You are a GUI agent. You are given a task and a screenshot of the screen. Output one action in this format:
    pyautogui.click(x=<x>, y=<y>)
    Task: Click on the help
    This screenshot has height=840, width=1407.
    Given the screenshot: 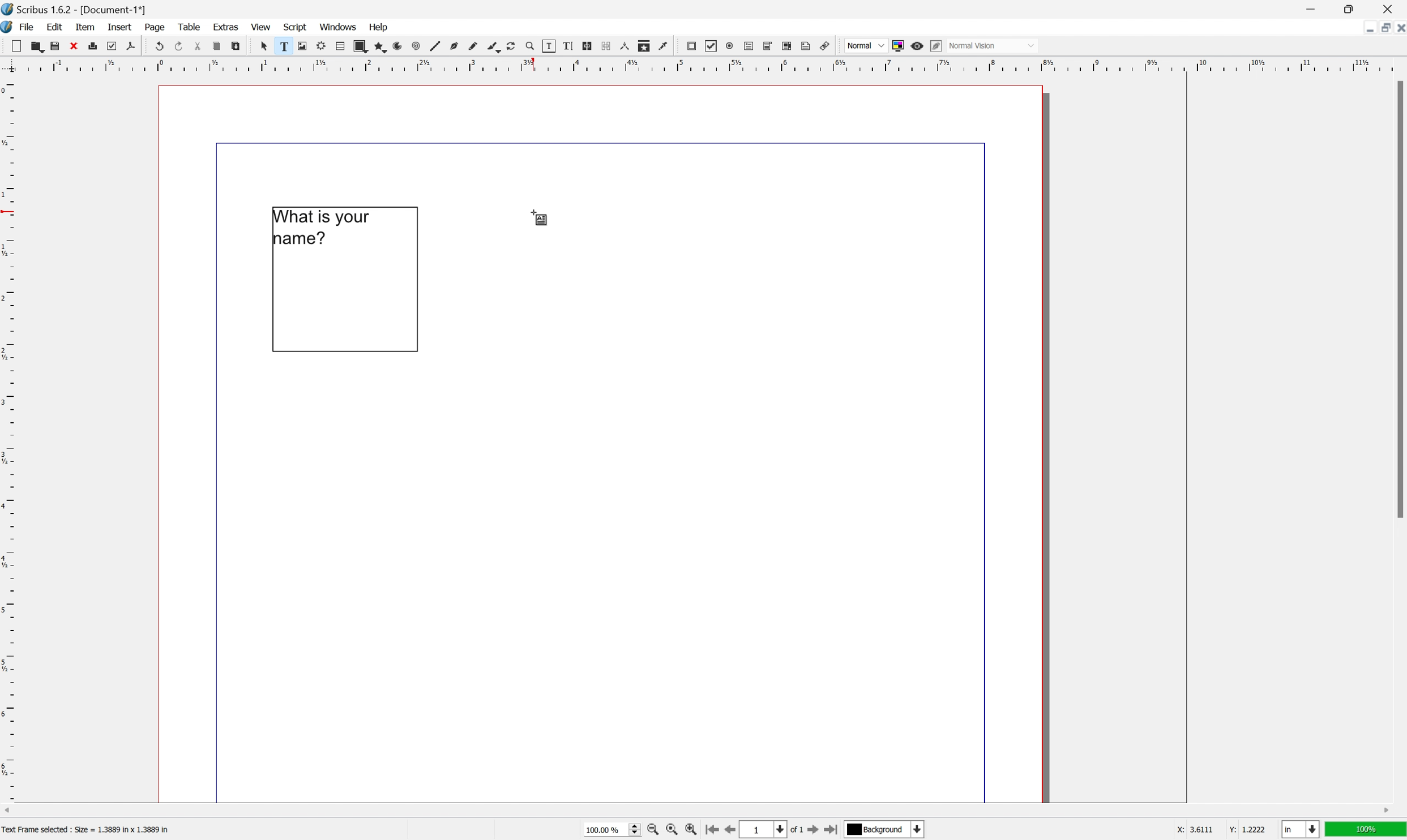 What is the action you would take?
    pyautogui.click(x=379, y=26)
    